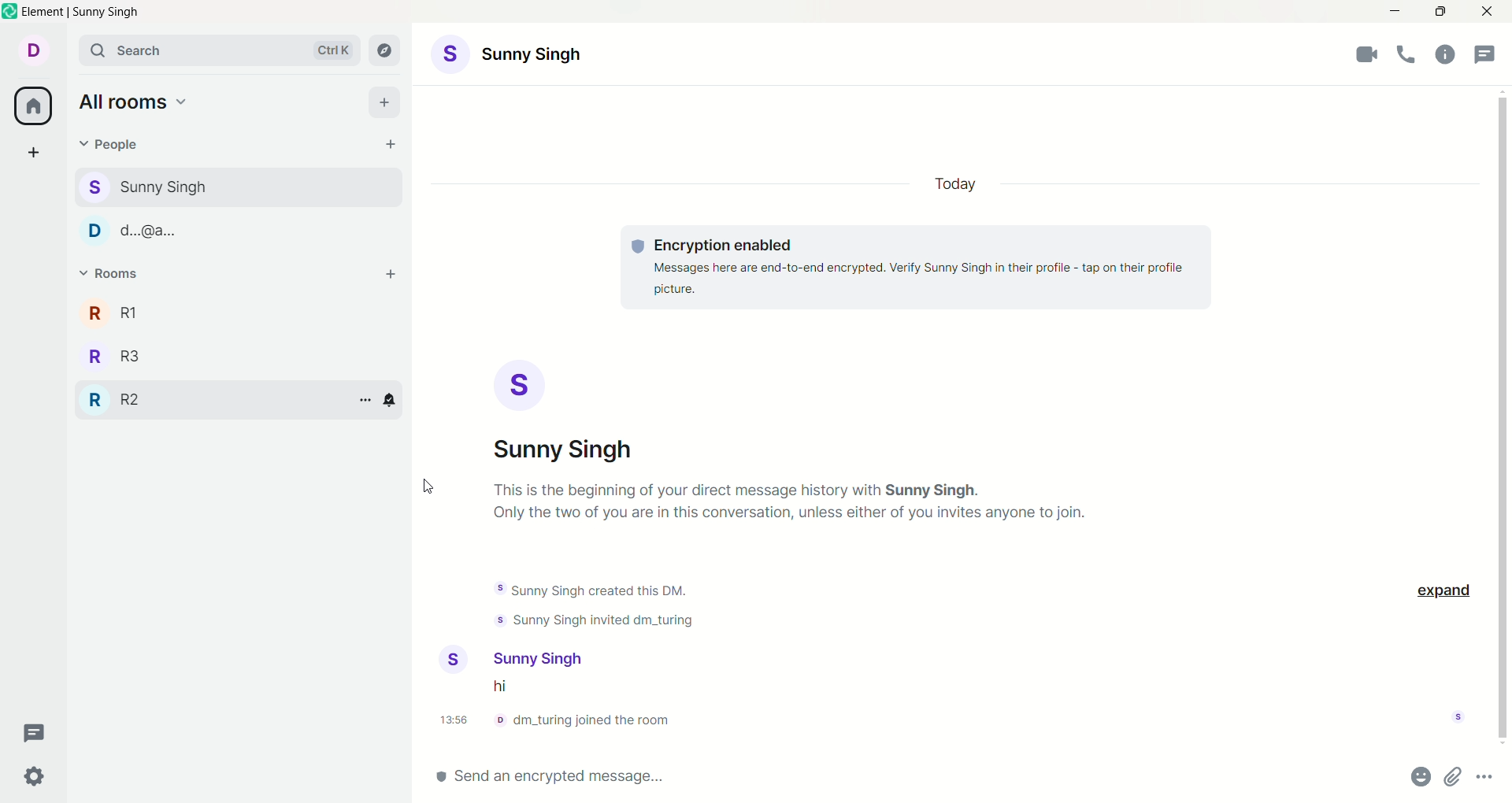 Image resolution: width=1512 pixels, height=803 pixels. Describe the element at coordinates (1490, 13) in the screenshot. I see `close` at that location.